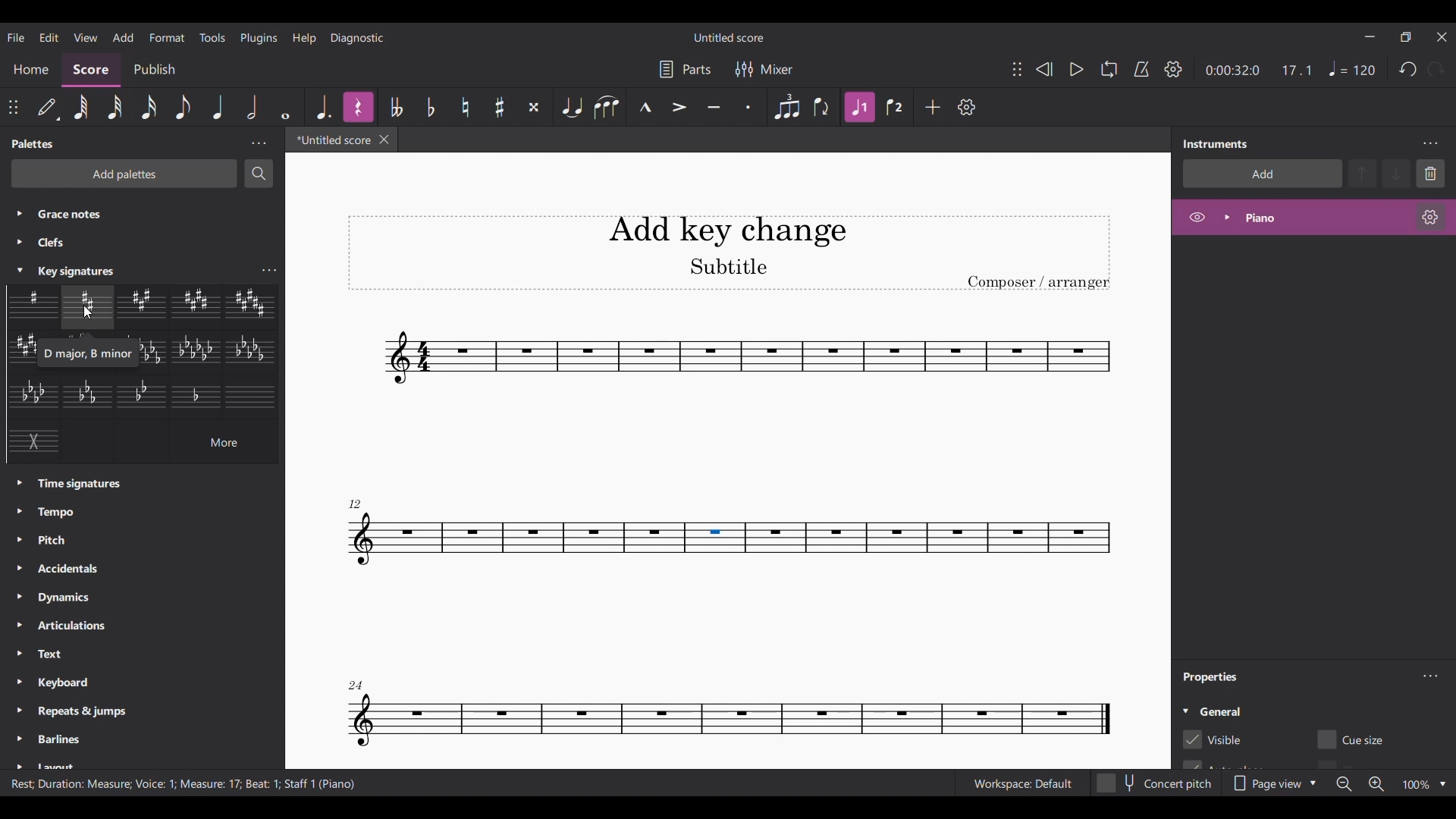 The height and width of the screenshot is (819, 1456). What do you see at coordinates (20, 270) in the screenshot?
I see `Current selection highlighted` at bounding box center [20, 270].